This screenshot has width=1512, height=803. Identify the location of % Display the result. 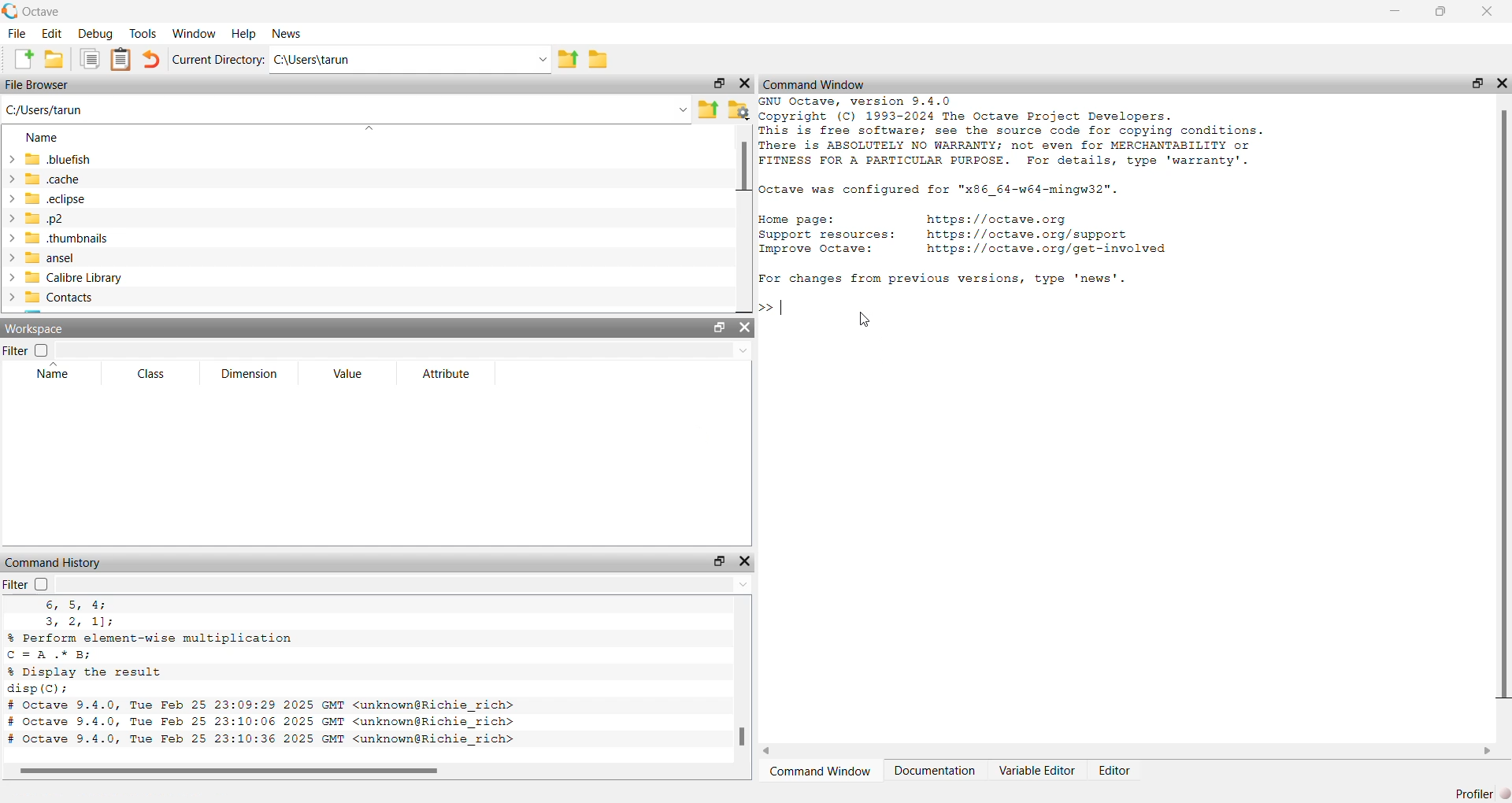
(87, 672).